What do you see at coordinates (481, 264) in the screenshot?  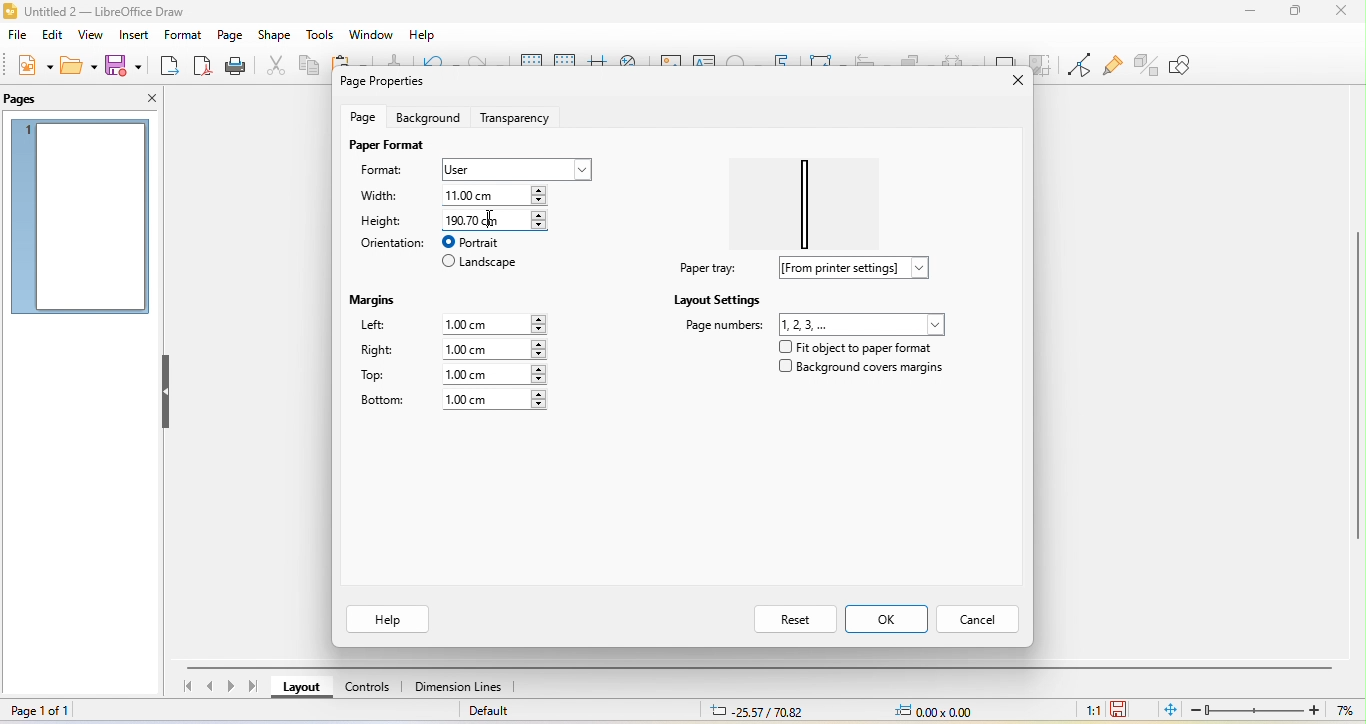 I see `landscape` at bounding box center [481, 264].